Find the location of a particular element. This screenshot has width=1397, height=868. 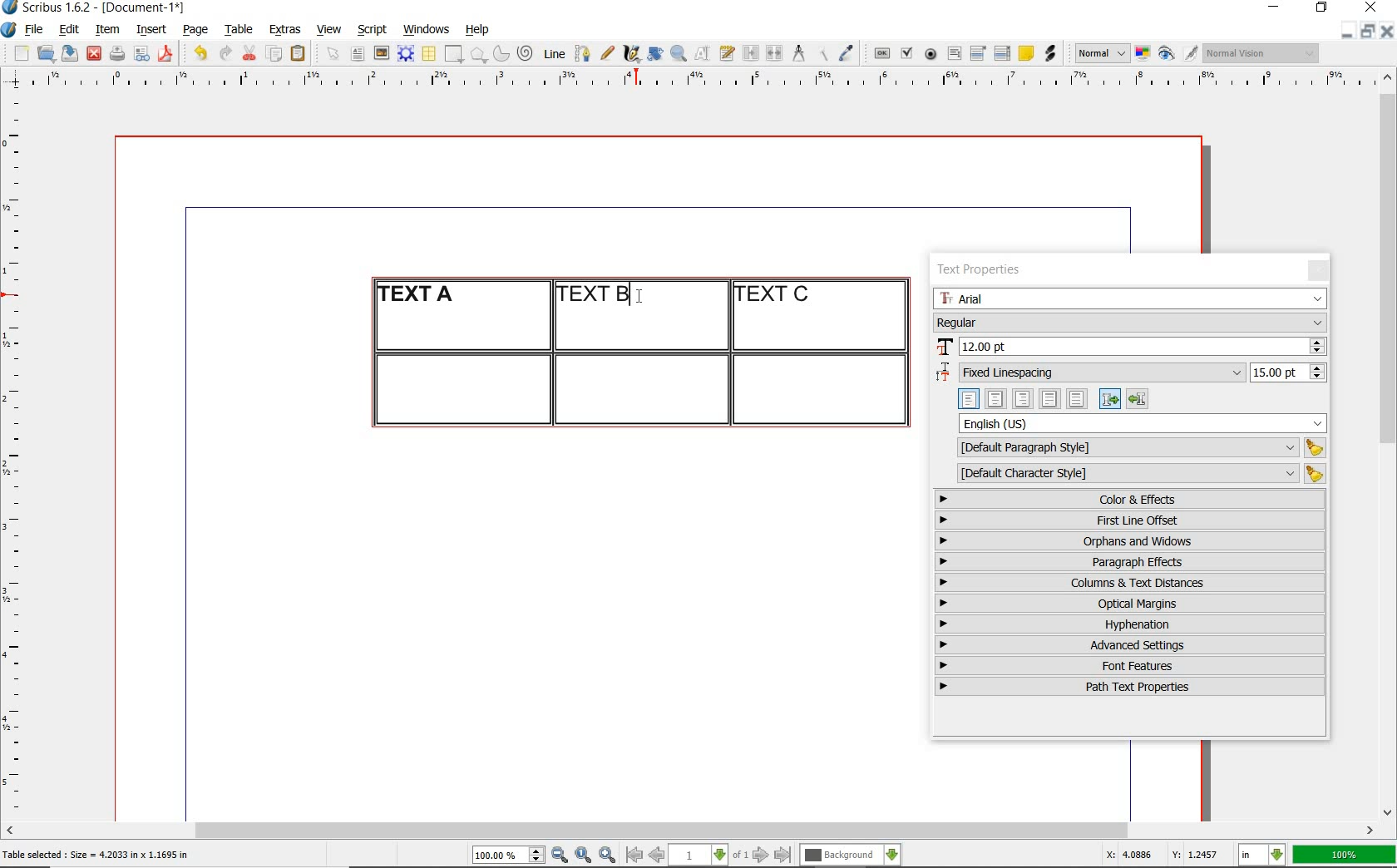

shape is located at coordinates (456, 55).